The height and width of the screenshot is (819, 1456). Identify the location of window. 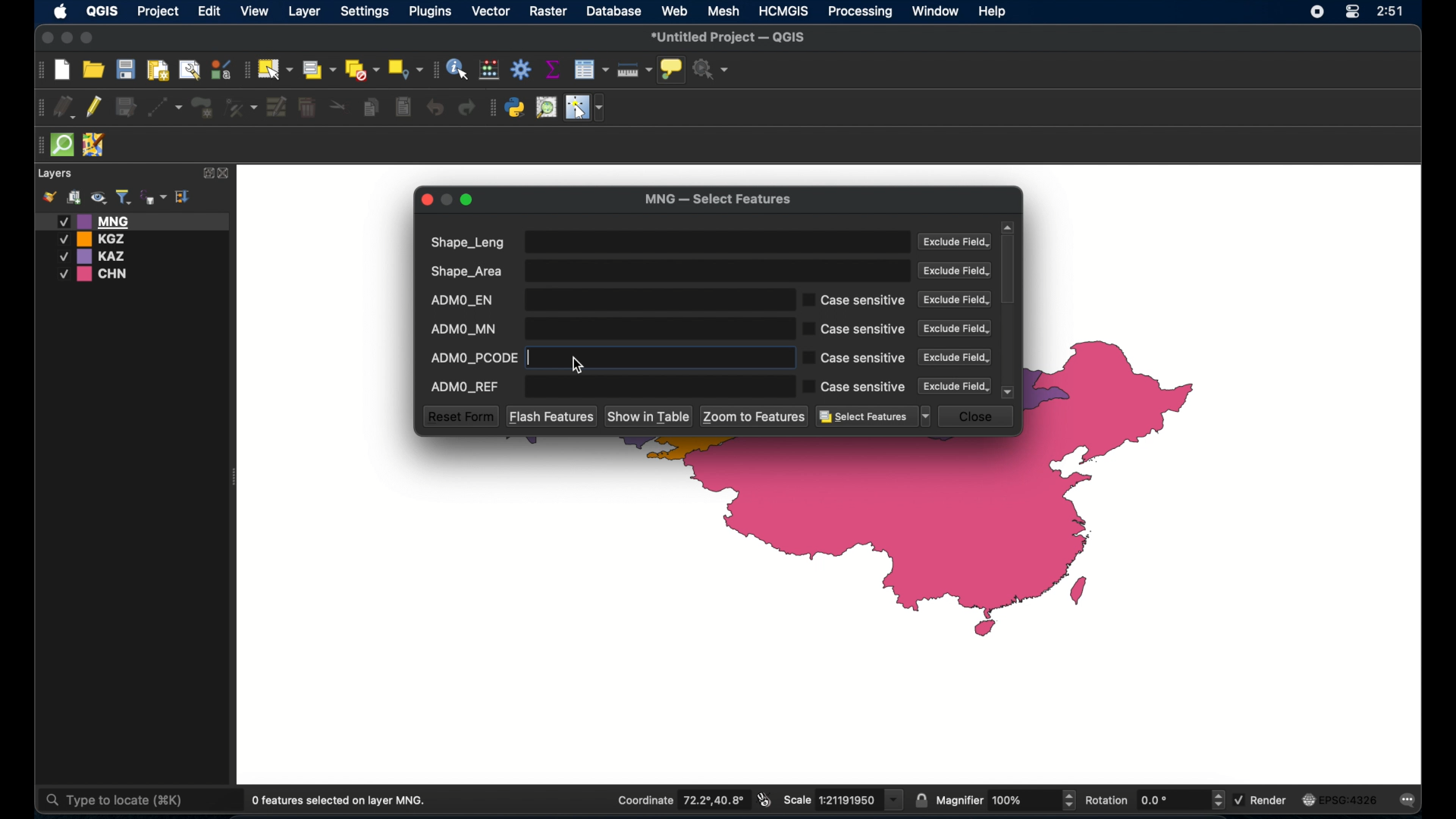
(937, 11).